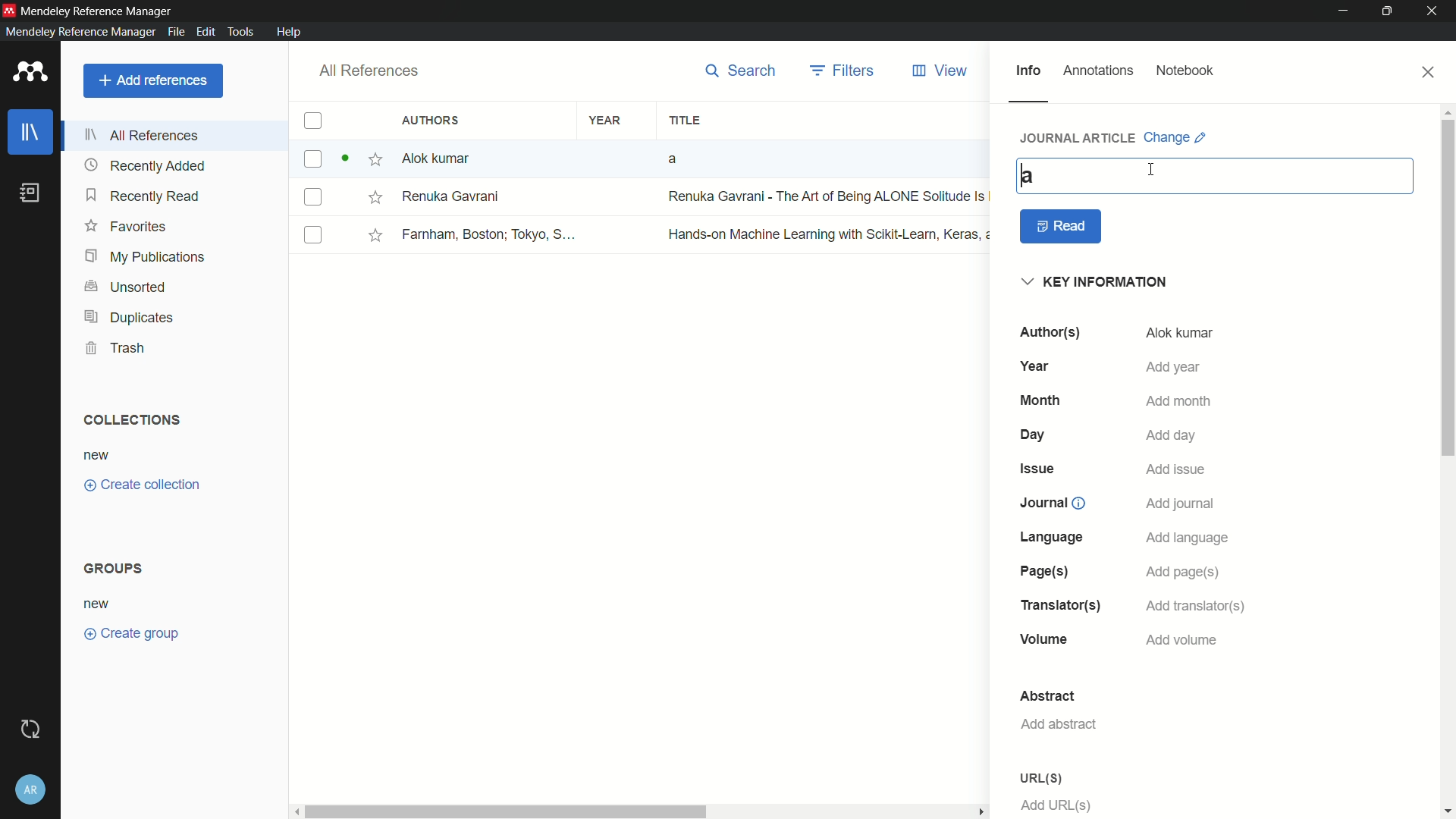 The height and width of the screenshot is (819, 1456). Describe the element at coordinates (1176, 471) in the screenshot. I see `add issue` at that location.